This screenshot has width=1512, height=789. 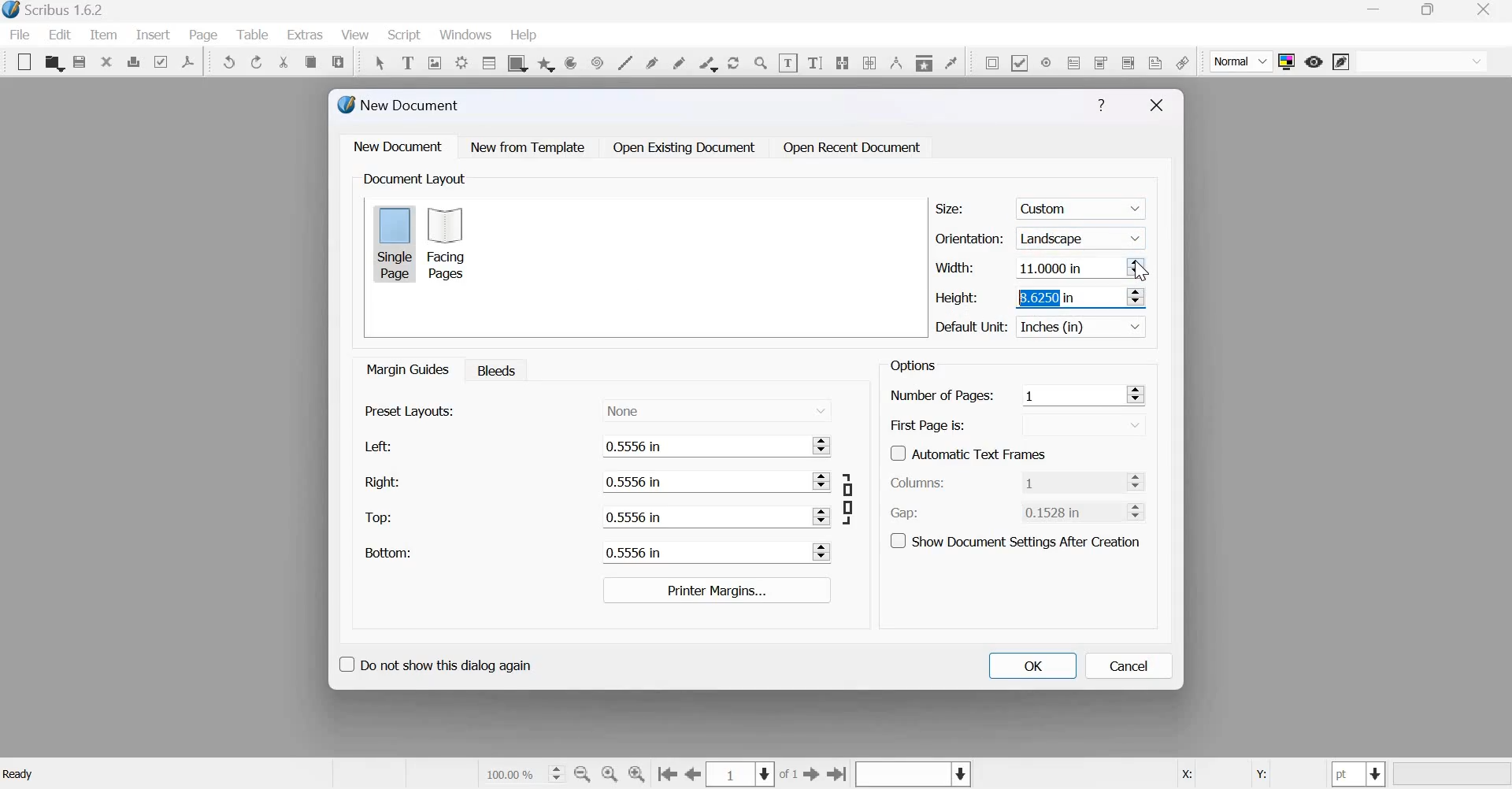 What do you see at coordinates (20, 62) in the screenshot?
I see `New` at bounding box center [20, 62].